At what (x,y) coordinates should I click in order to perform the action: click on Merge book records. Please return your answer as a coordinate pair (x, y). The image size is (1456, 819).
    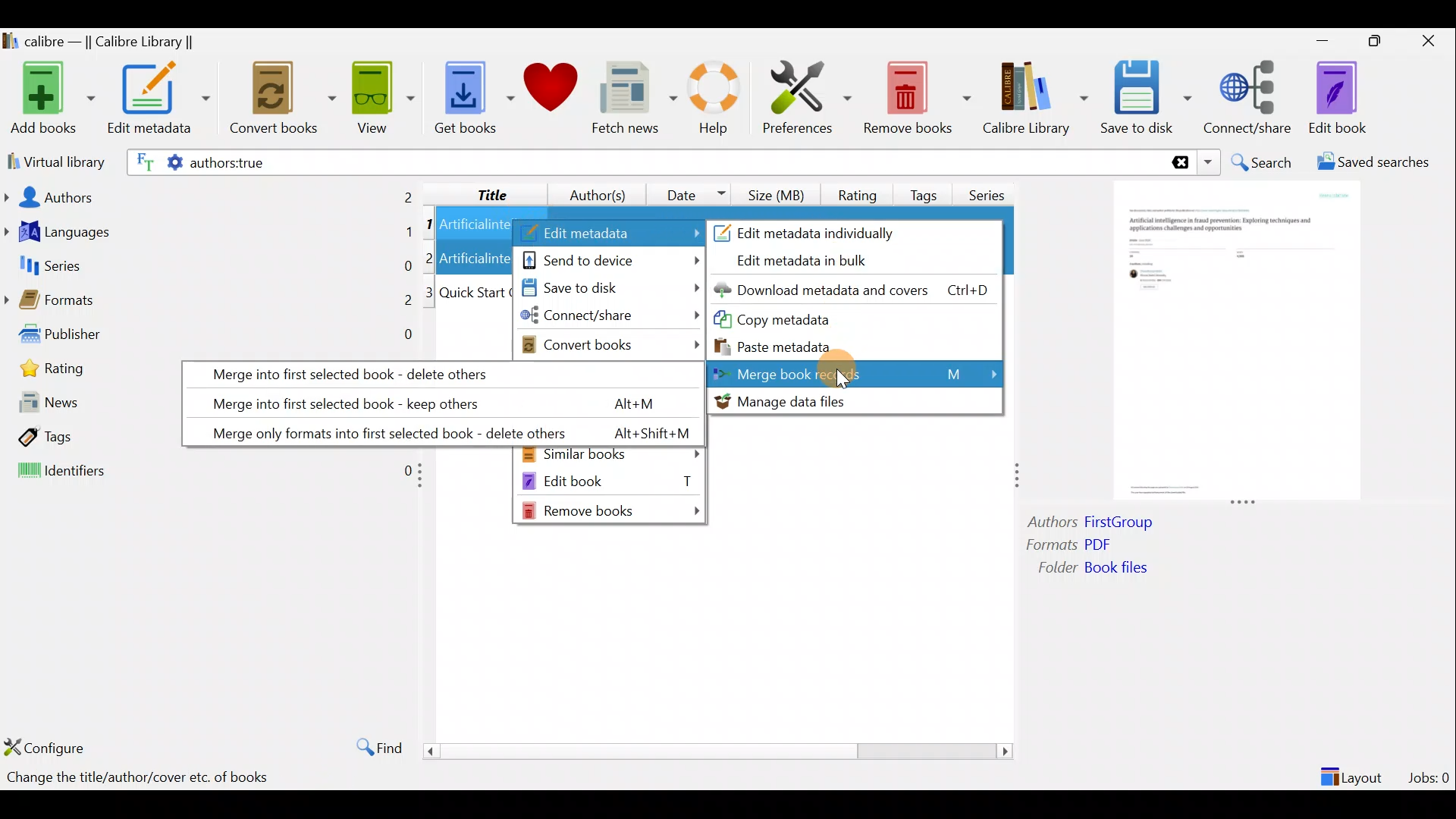
    Looking at the image, I should click on (858, 373).